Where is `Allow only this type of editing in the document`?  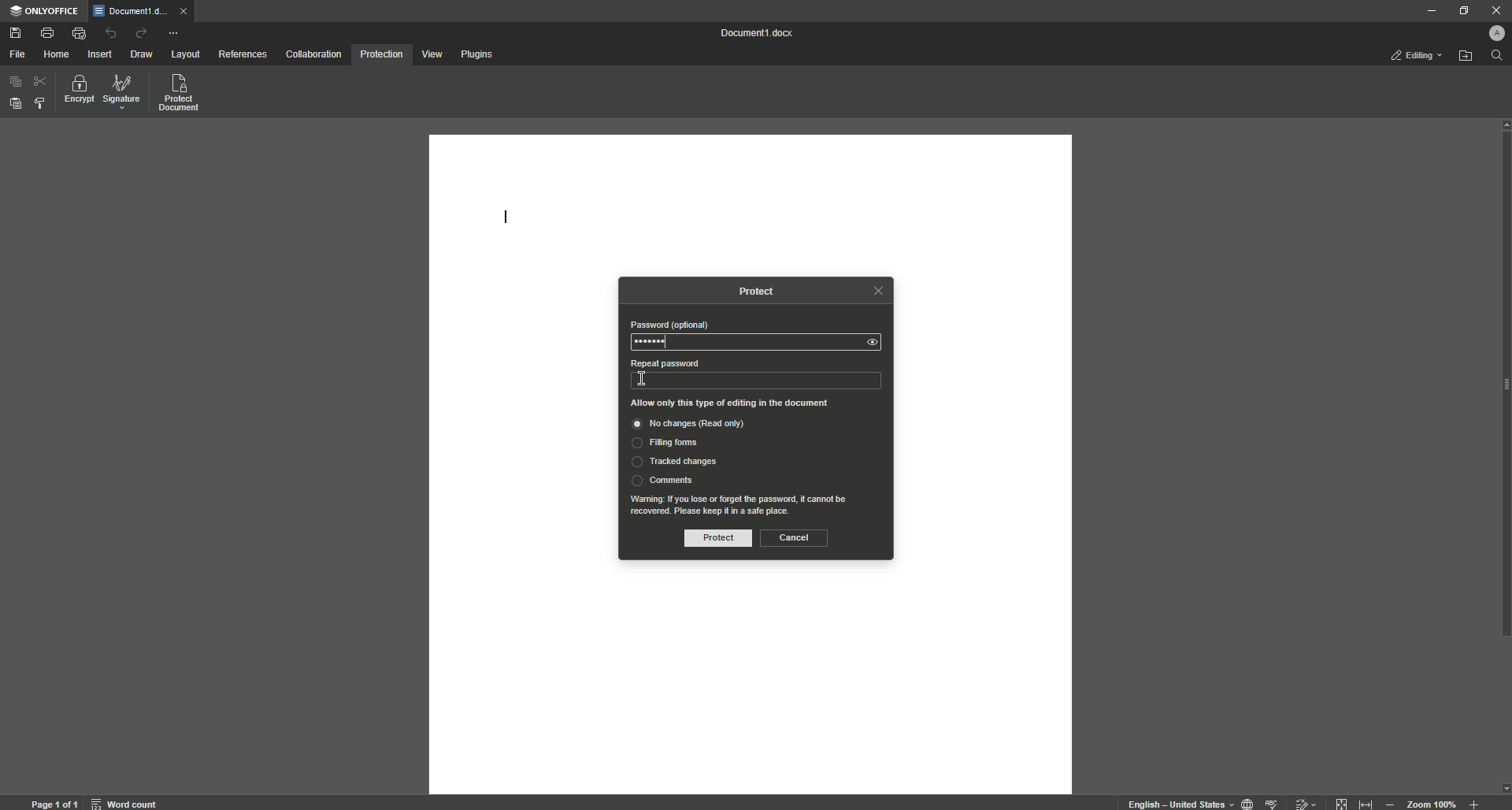 Allow only this type of editing in the document is located at coordinates (738, 403).